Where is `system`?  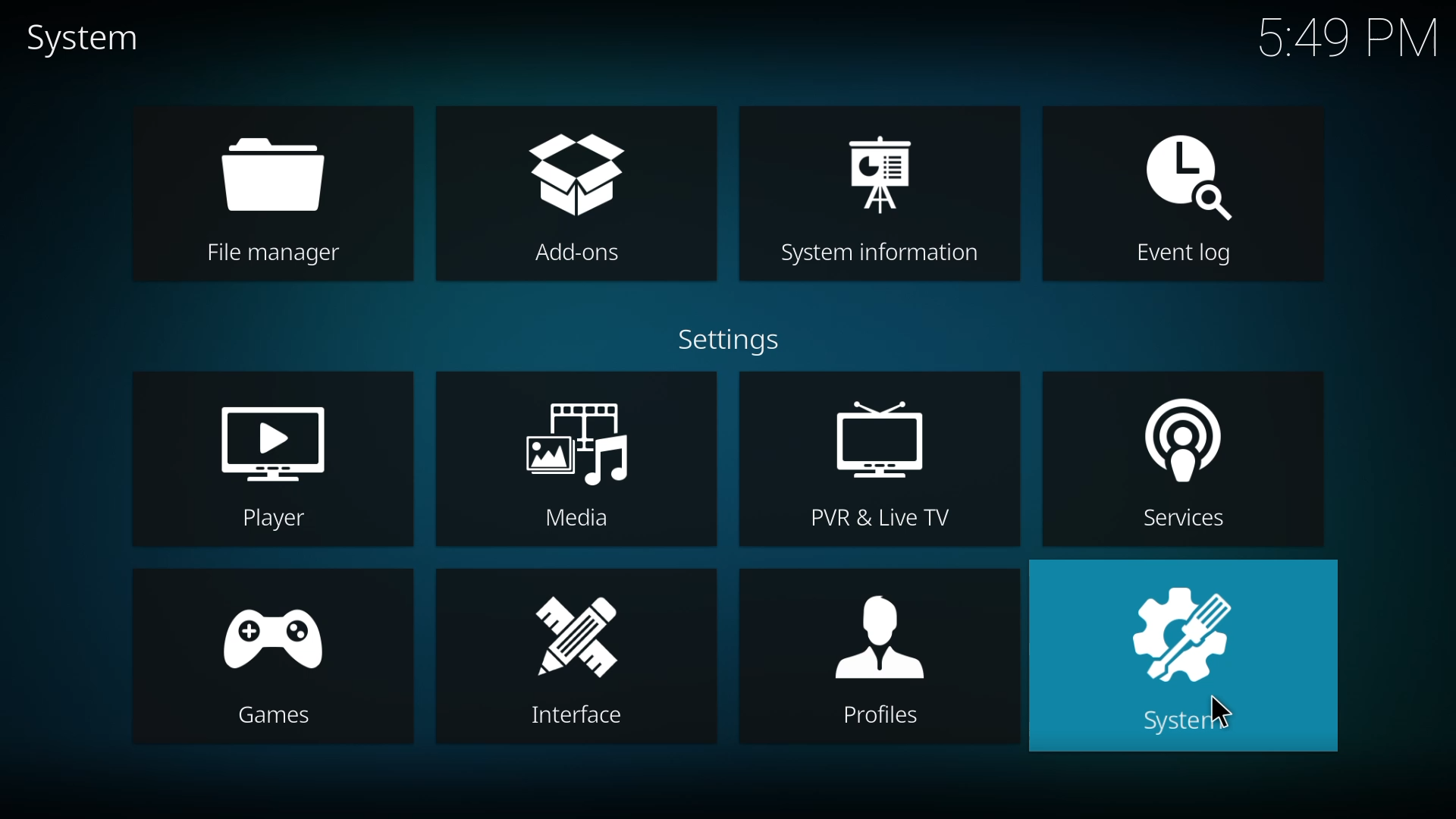
system is located at coordinates (1188, 657).